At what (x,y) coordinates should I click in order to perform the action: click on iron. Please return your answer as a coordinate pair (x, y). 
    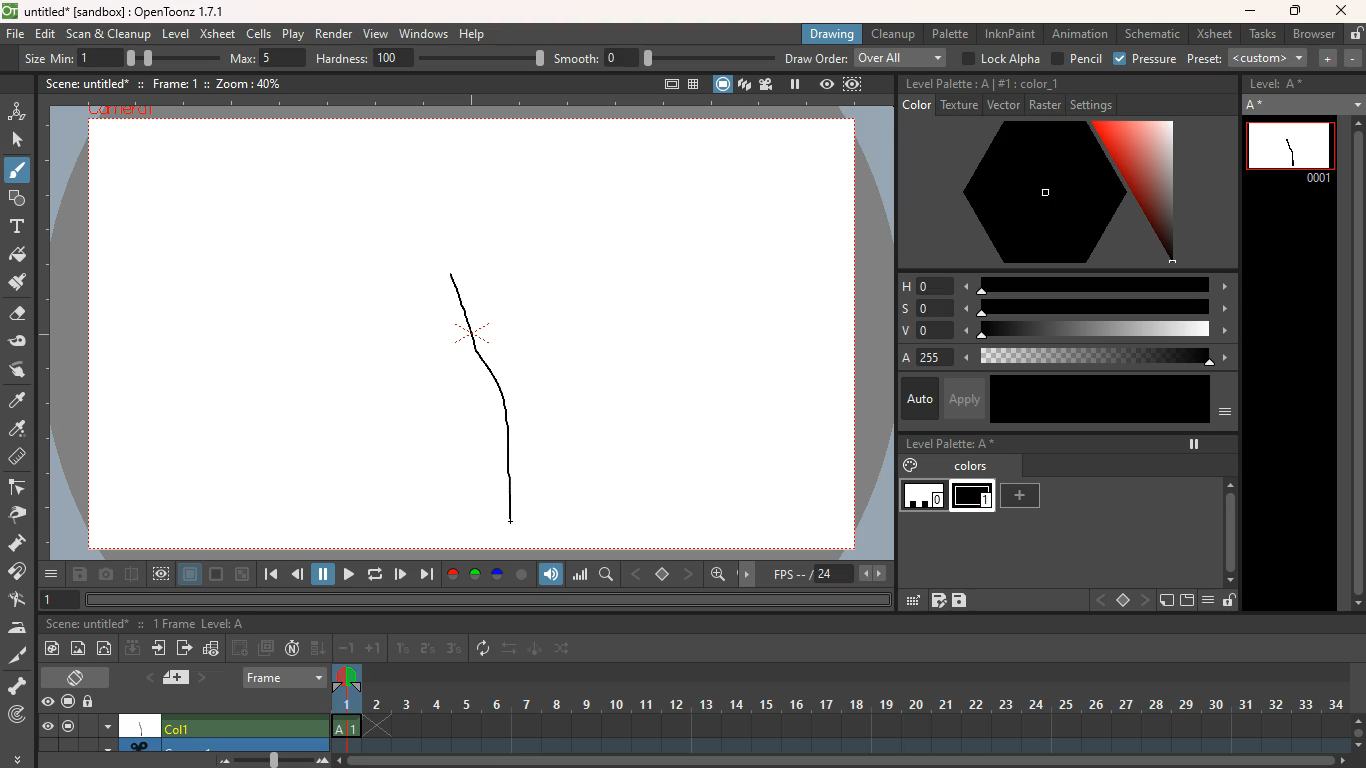
    Looking at the image, I should click on (21, 628).